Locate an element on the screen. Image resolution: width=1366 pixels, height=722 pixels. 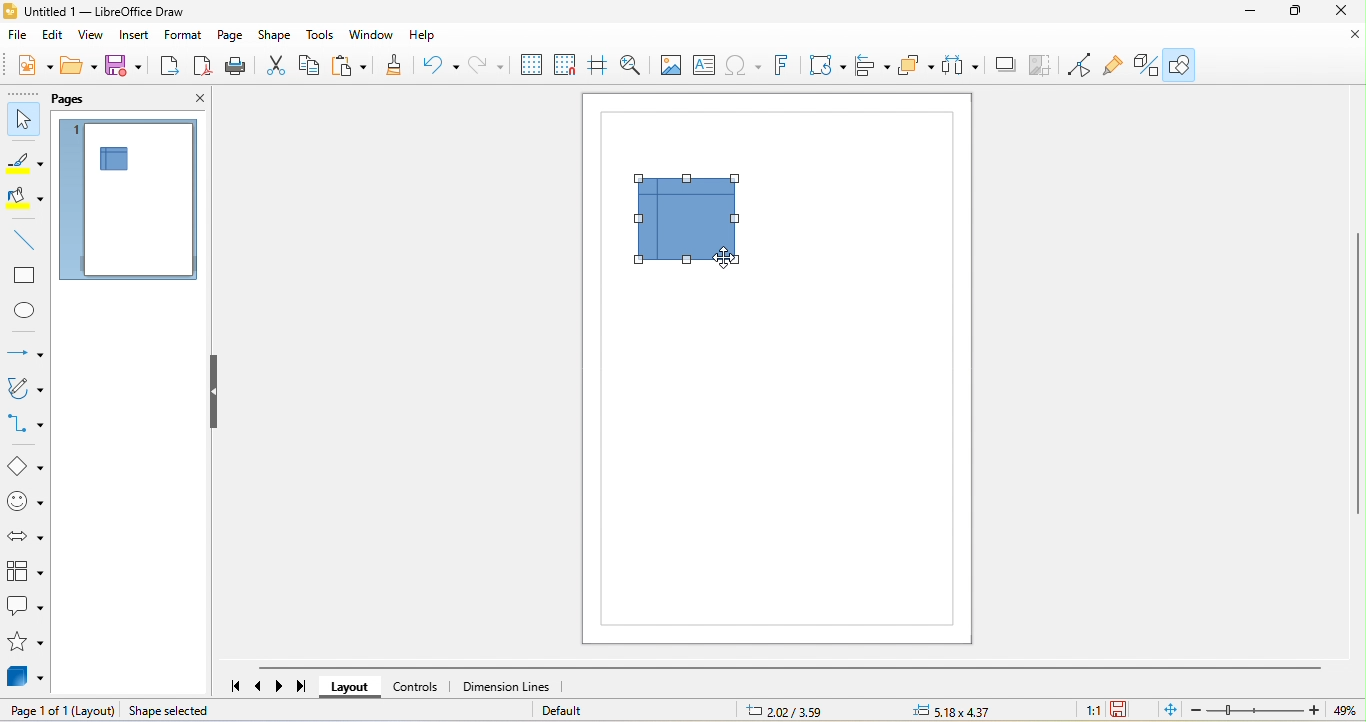
show draw function is located at coordinates (1179, 65).